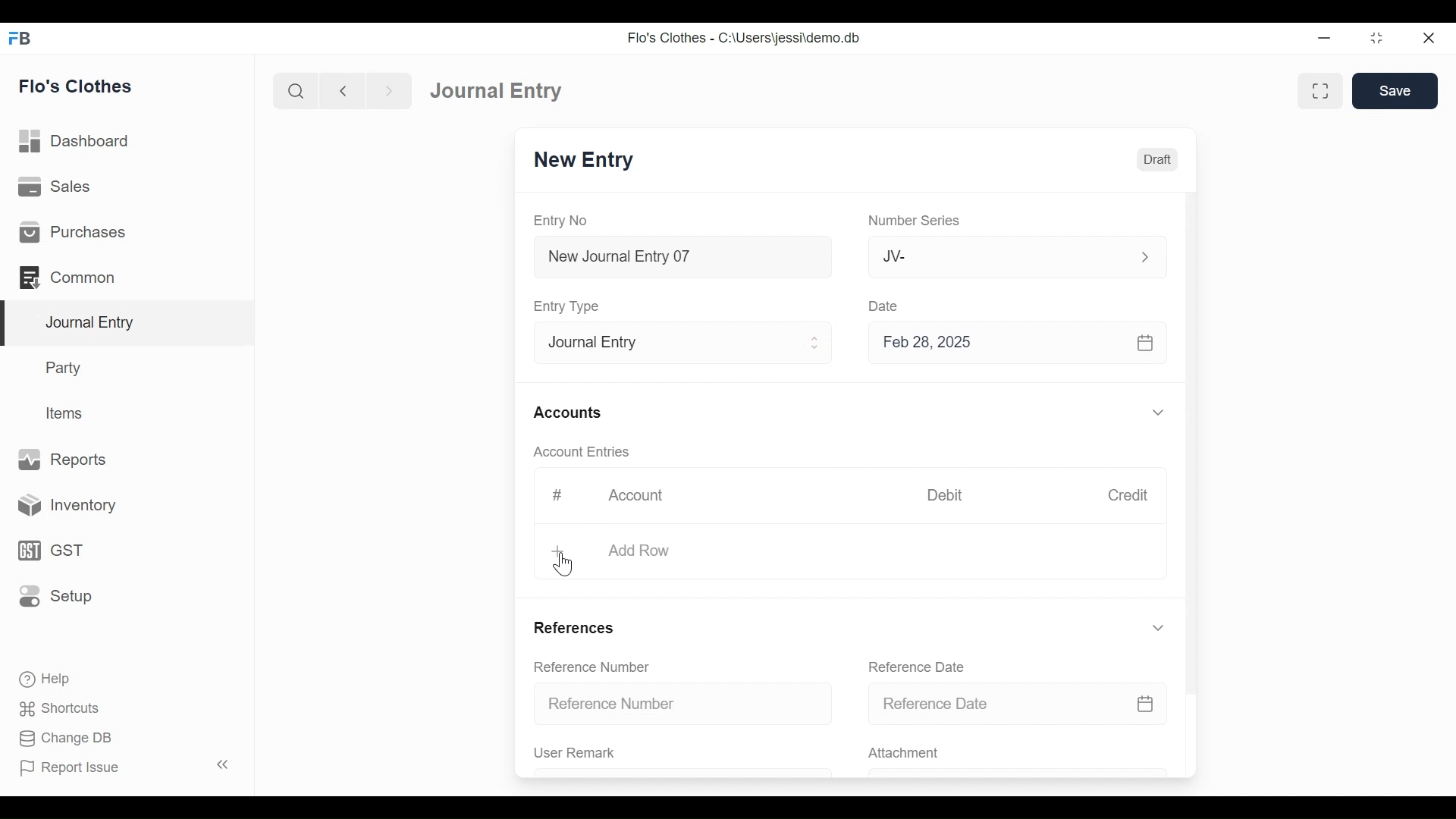  What do you see at coordinates (55, 595) in the screenshot?
I see `Setup` at bounding box center [55, 595].